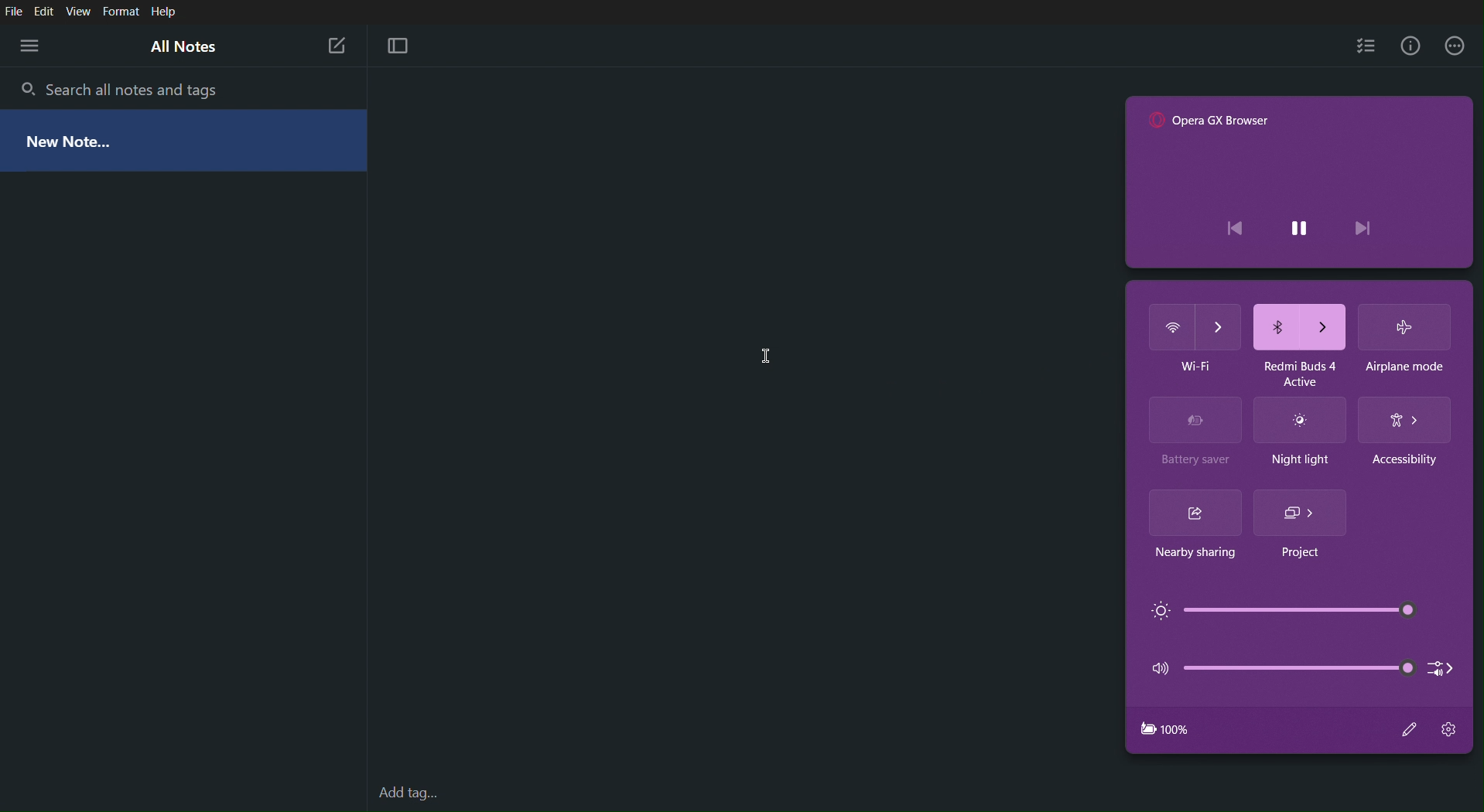 The width and height of the screenshot is (1484, 812). What do you see at coordinates (1194, 463) in the screenshot?
I see `Battery saver` at bounding box center [1194, 463].